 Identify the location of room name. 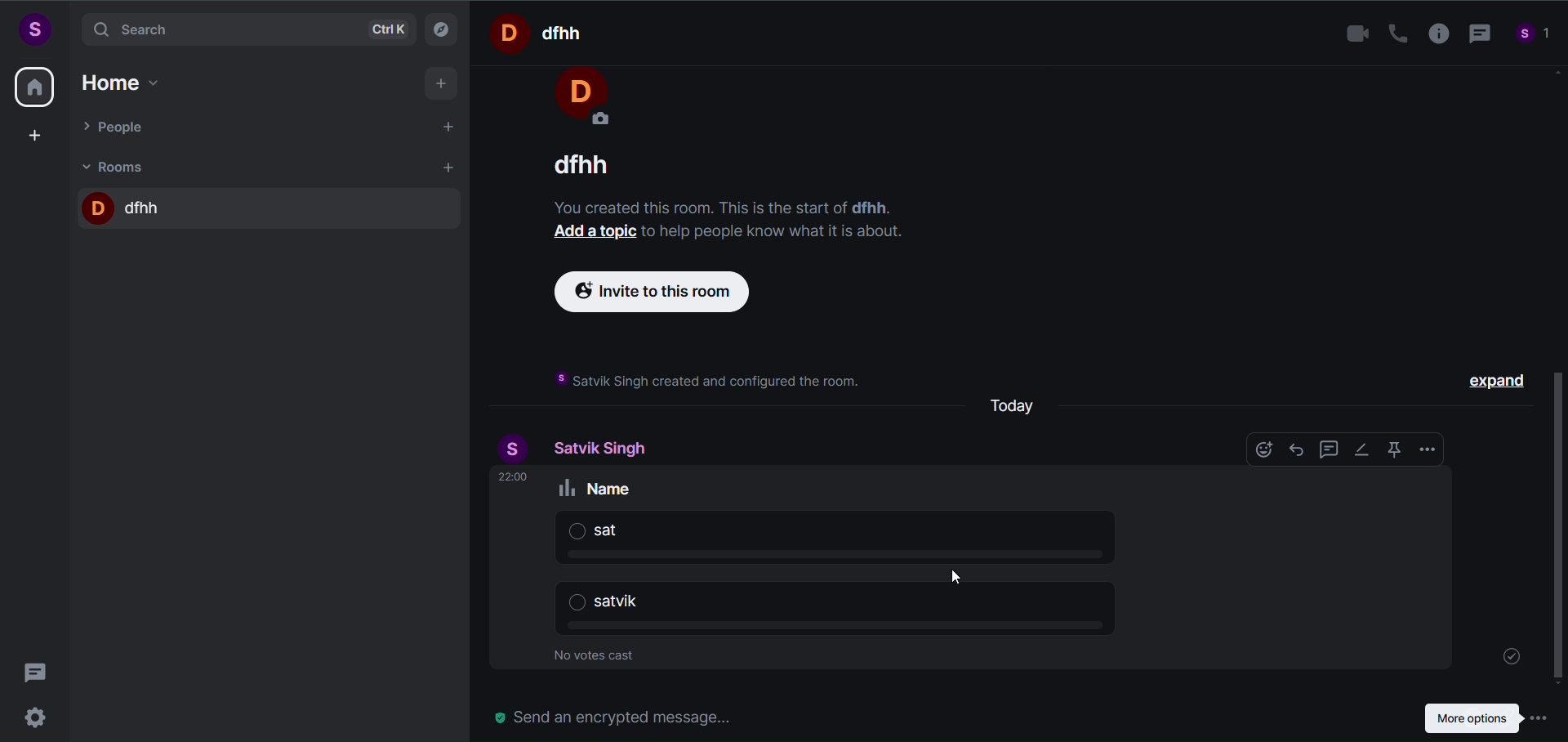
(542, 32).